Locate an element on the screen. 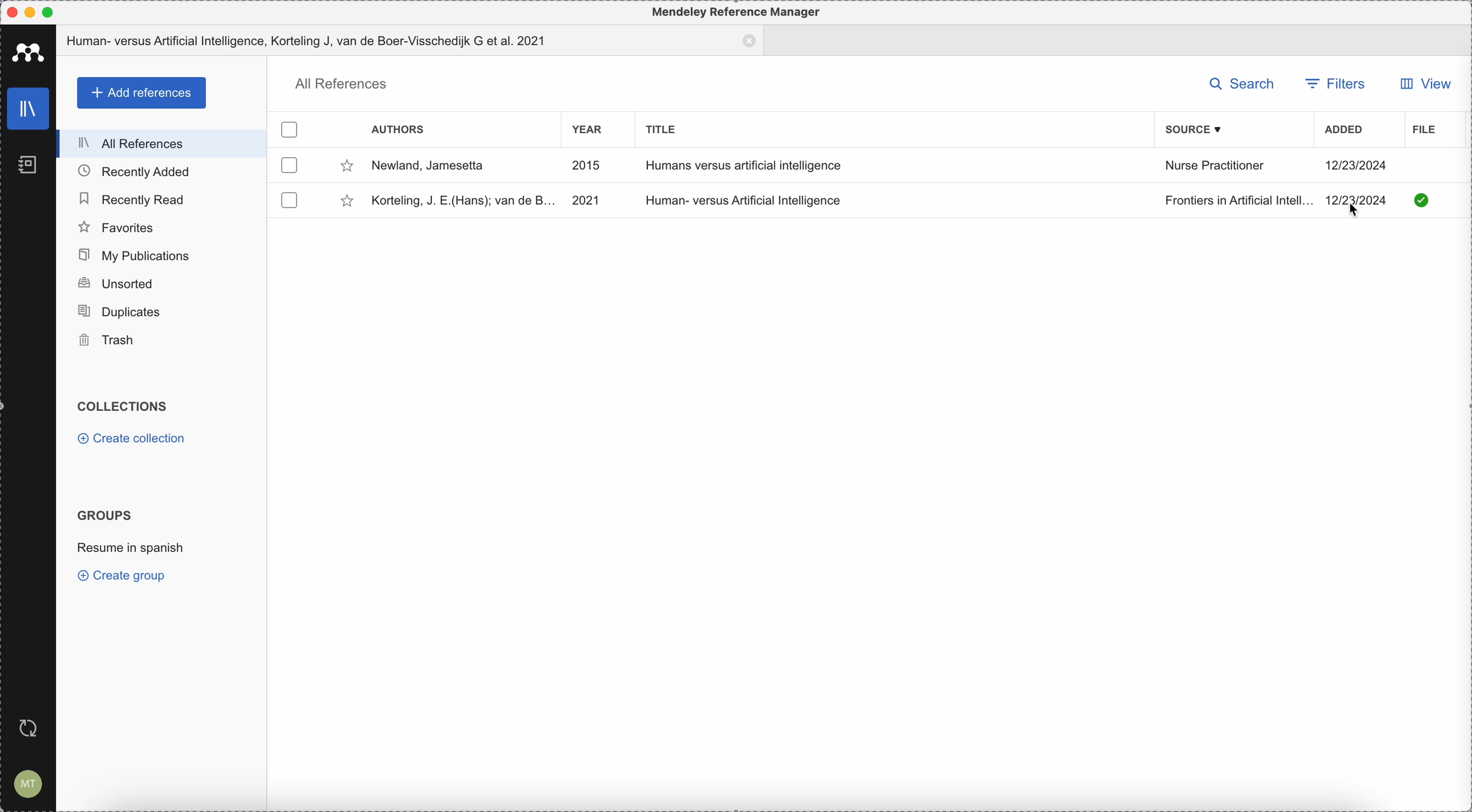 Image resolution: width=1472 pixels, height=812 pixels. favorite is located at coordinates (339, 202).